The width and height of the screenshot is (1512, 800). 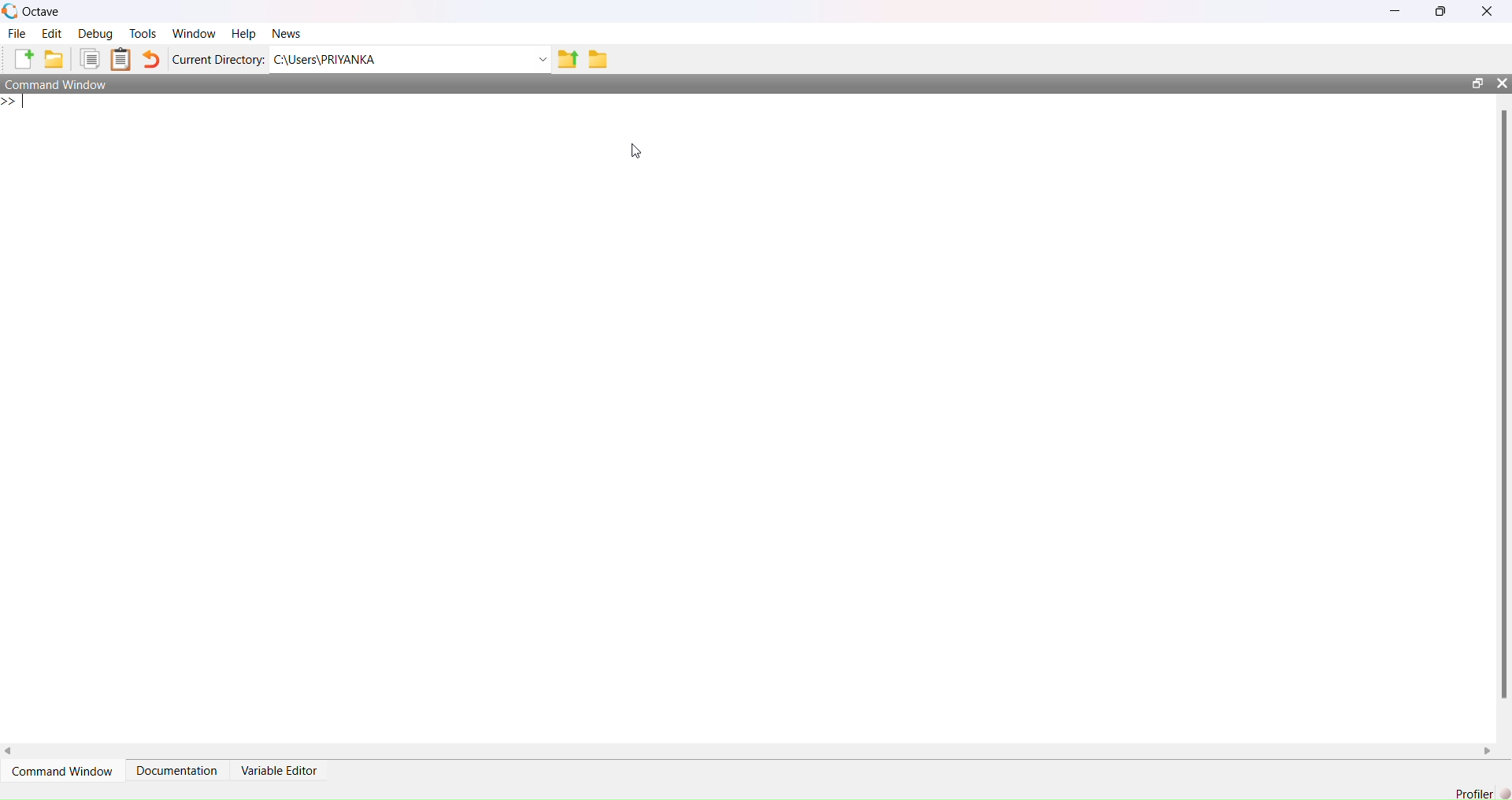 What do you see at coordinates (1474, 793) in the screenshot?
I see `Profiler` at bounding box center [1474, 793].